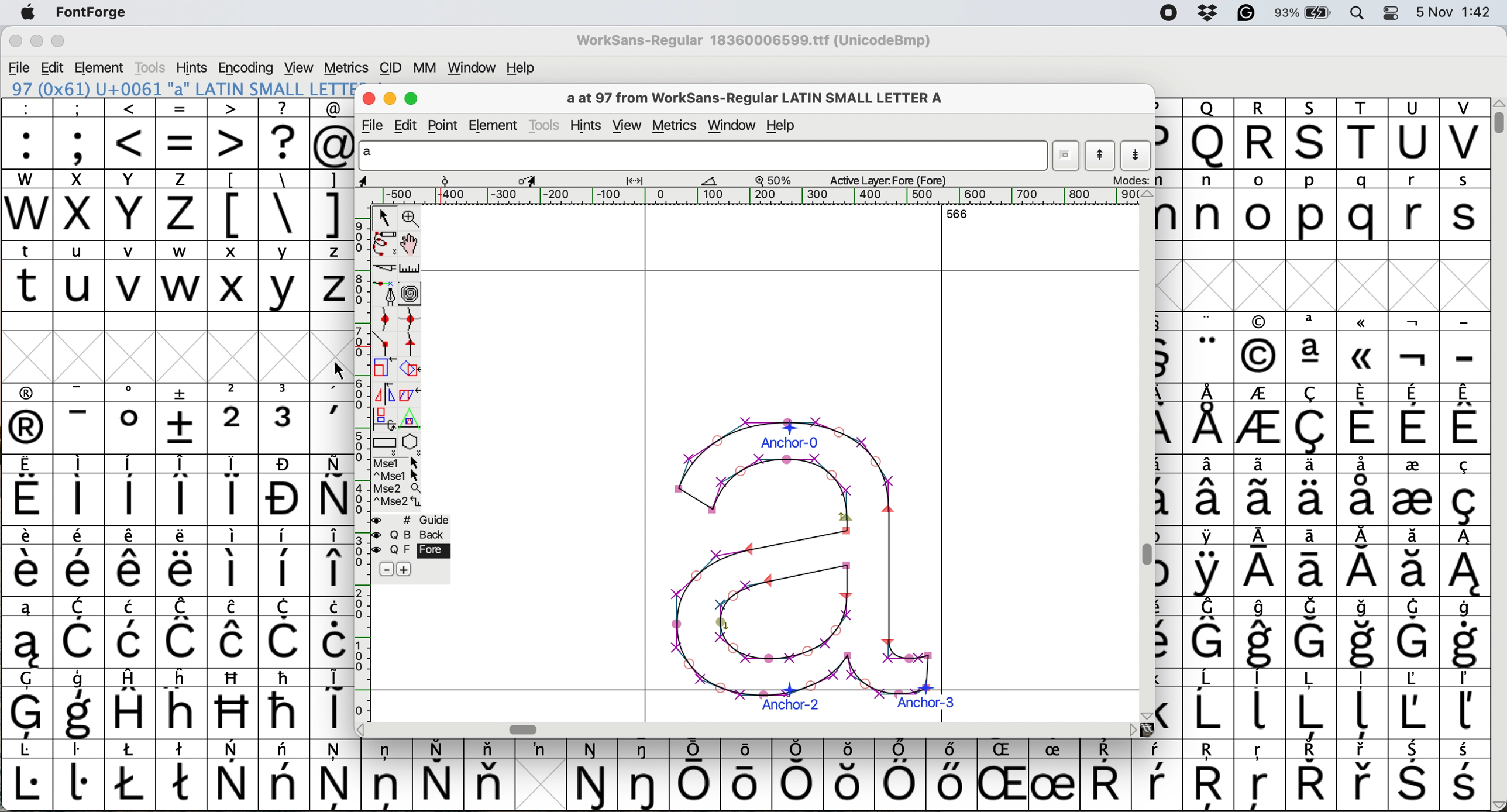 The width and height of the screenshot is (1507, 812). I want to click on vertical scroll bar, so click(1498, 117).